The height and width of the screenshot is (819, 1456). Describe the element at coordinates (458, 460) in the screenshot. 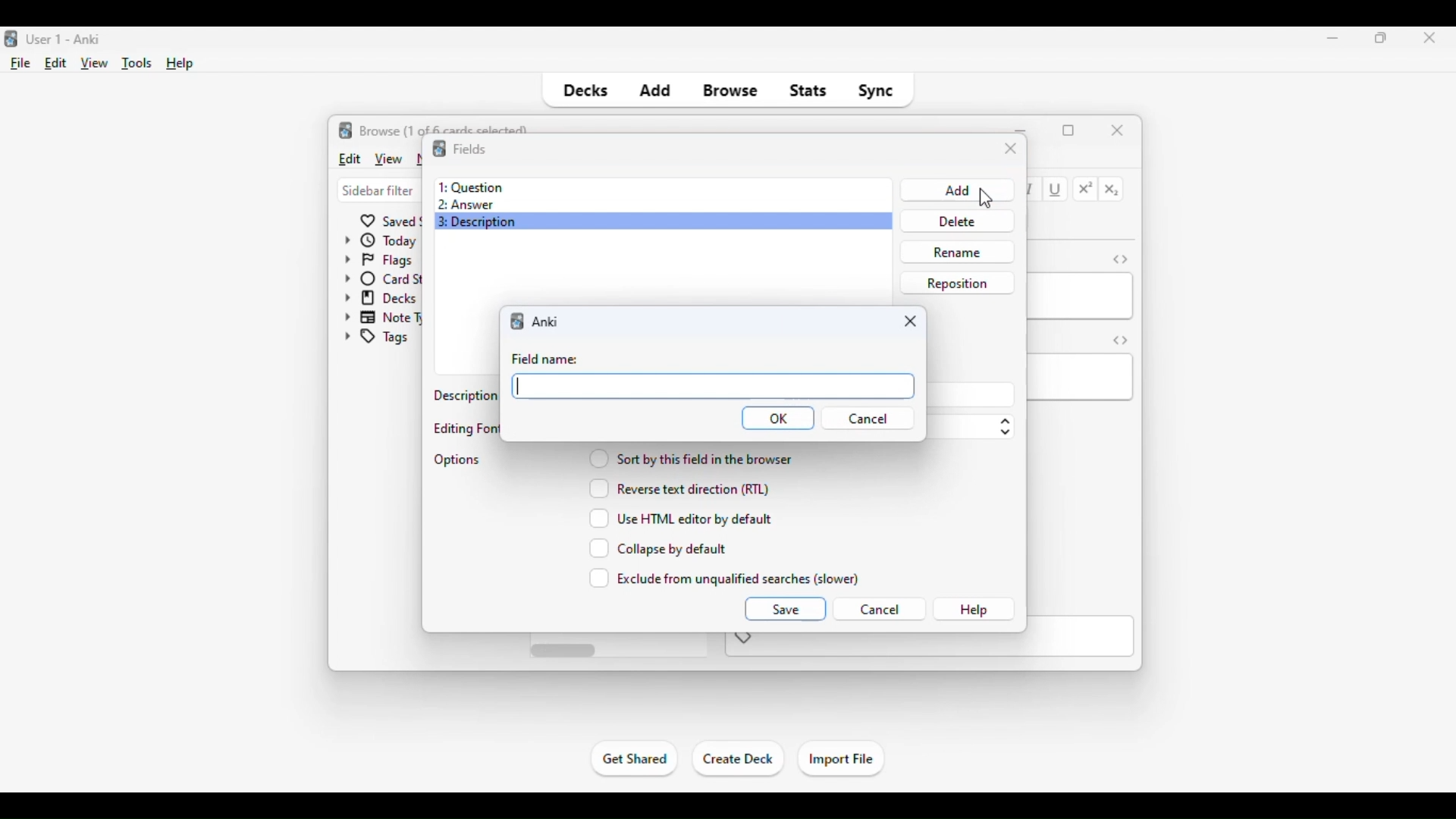

I see `options` at that location.